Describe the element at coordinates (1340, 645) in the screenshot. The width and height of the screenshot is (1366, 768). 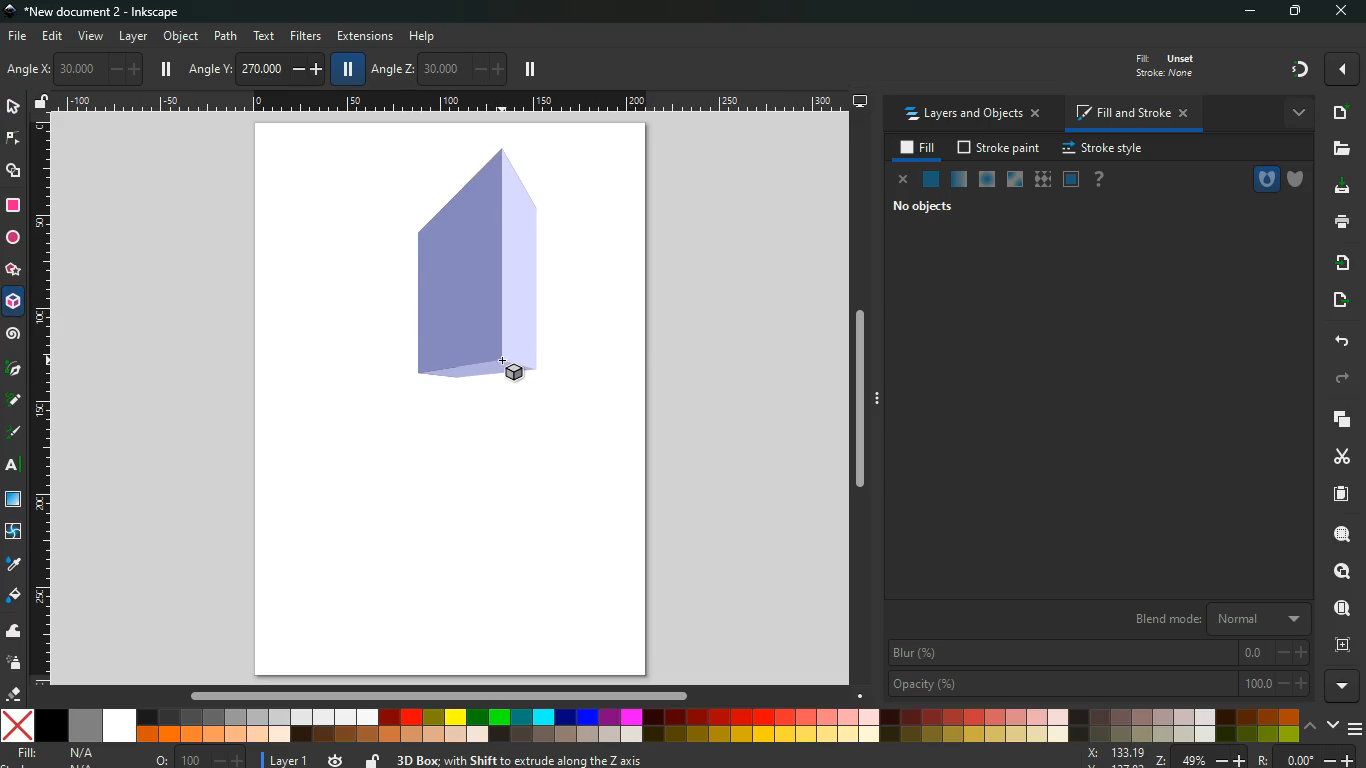
I see `frame` at that location.